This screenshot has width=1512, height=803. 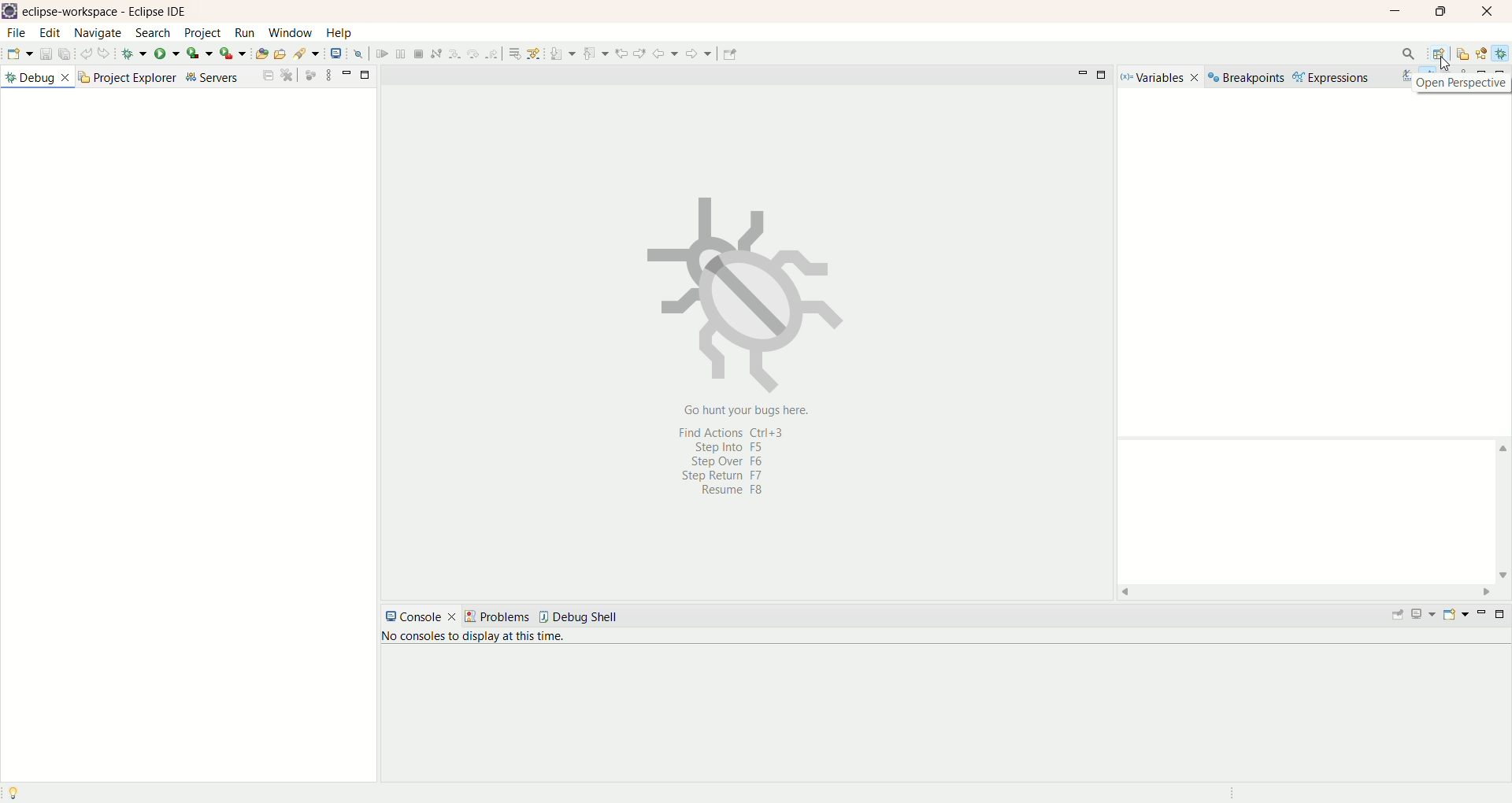 What do you see at coordinates (106, 54) in the screenshot?
I see `redo` at bounding box center [106, 54].